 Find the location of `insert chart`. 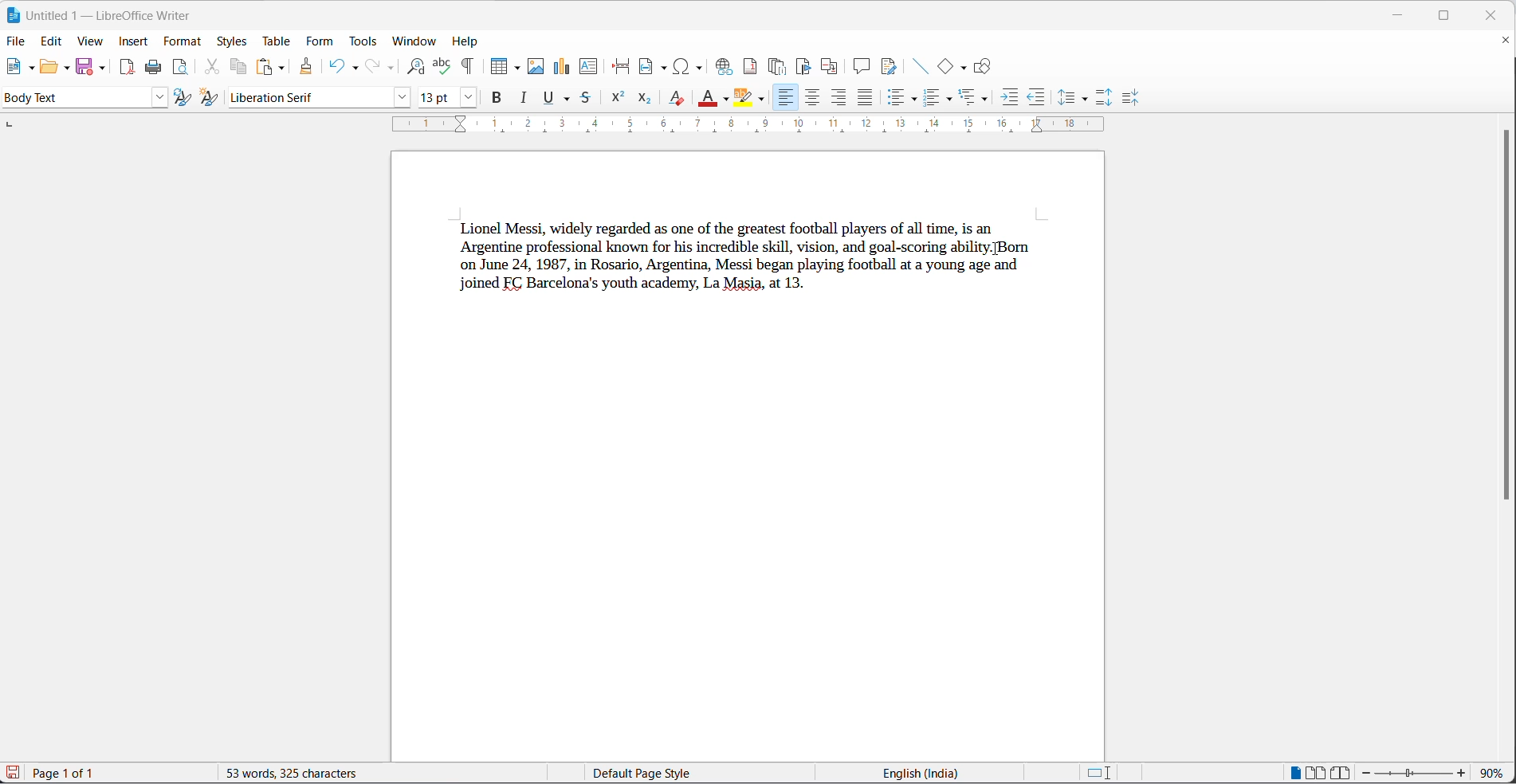

insert chart is located at coordinates (563, 67).